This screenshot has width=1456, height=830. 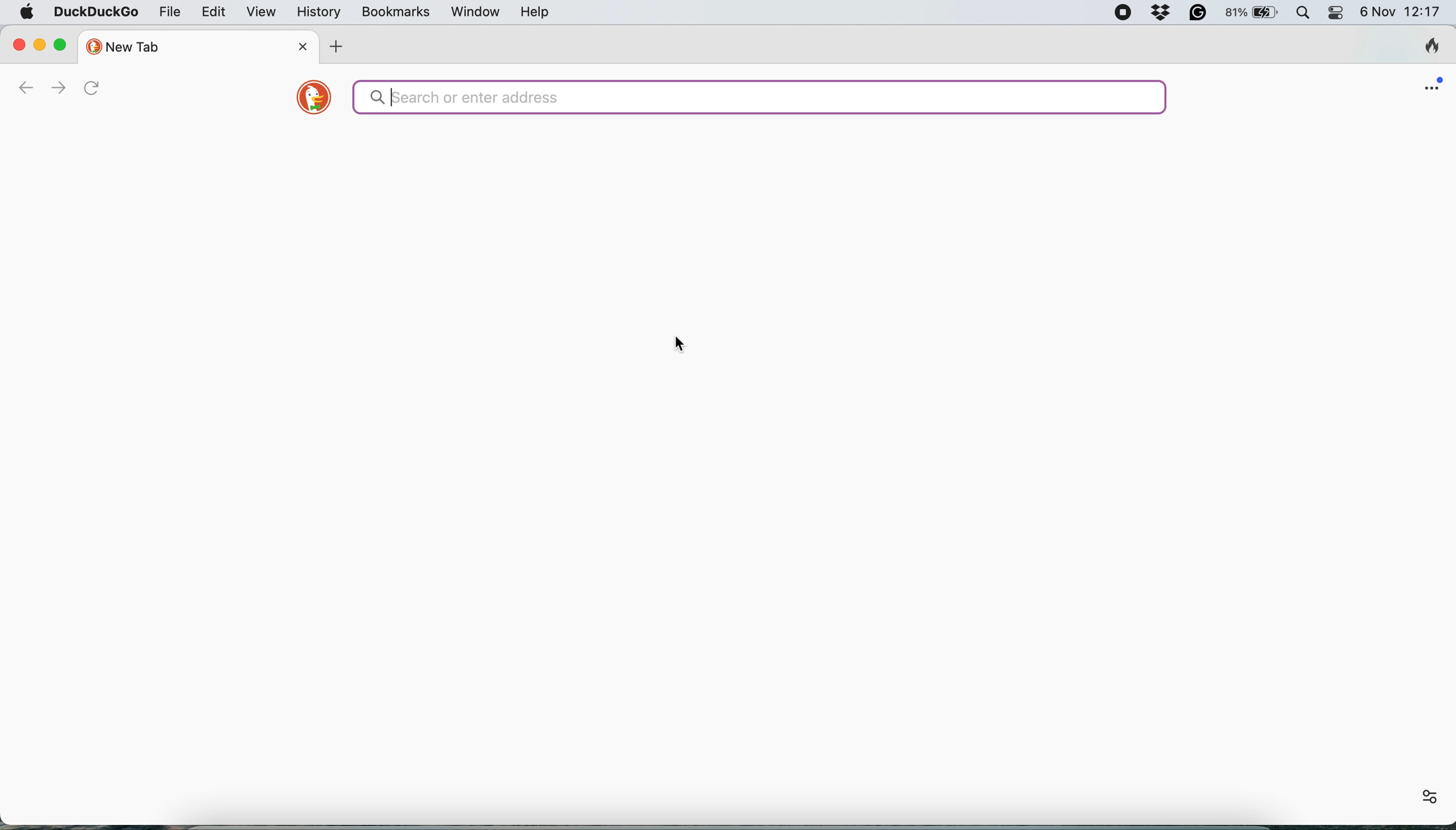 What do you see at coordinates (54, 87) in the screenshot?
I see `go forward` at bounding box center [54, 87].